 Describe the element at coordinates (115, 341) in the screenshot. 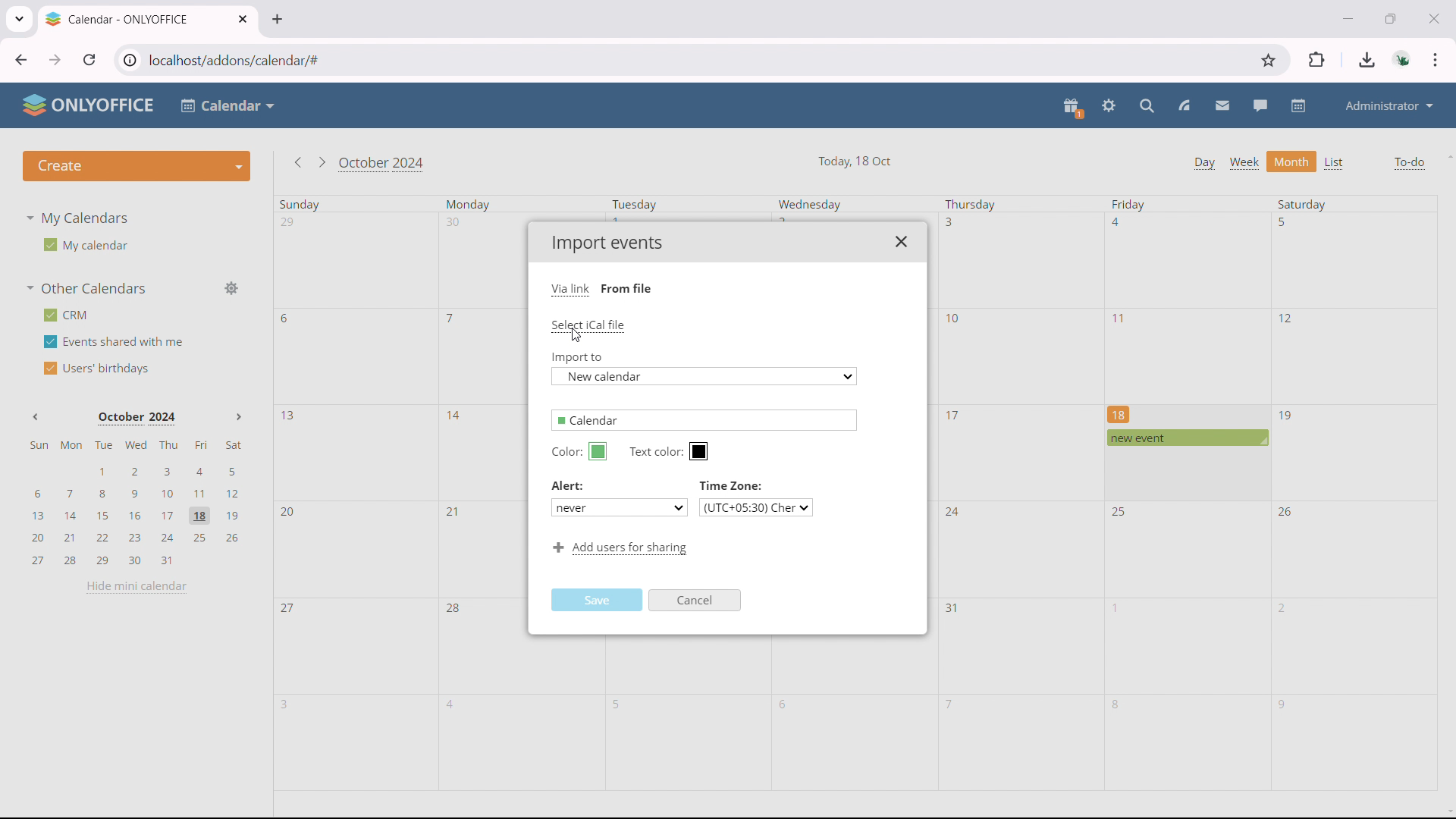

I see `events shared with me` at that location.